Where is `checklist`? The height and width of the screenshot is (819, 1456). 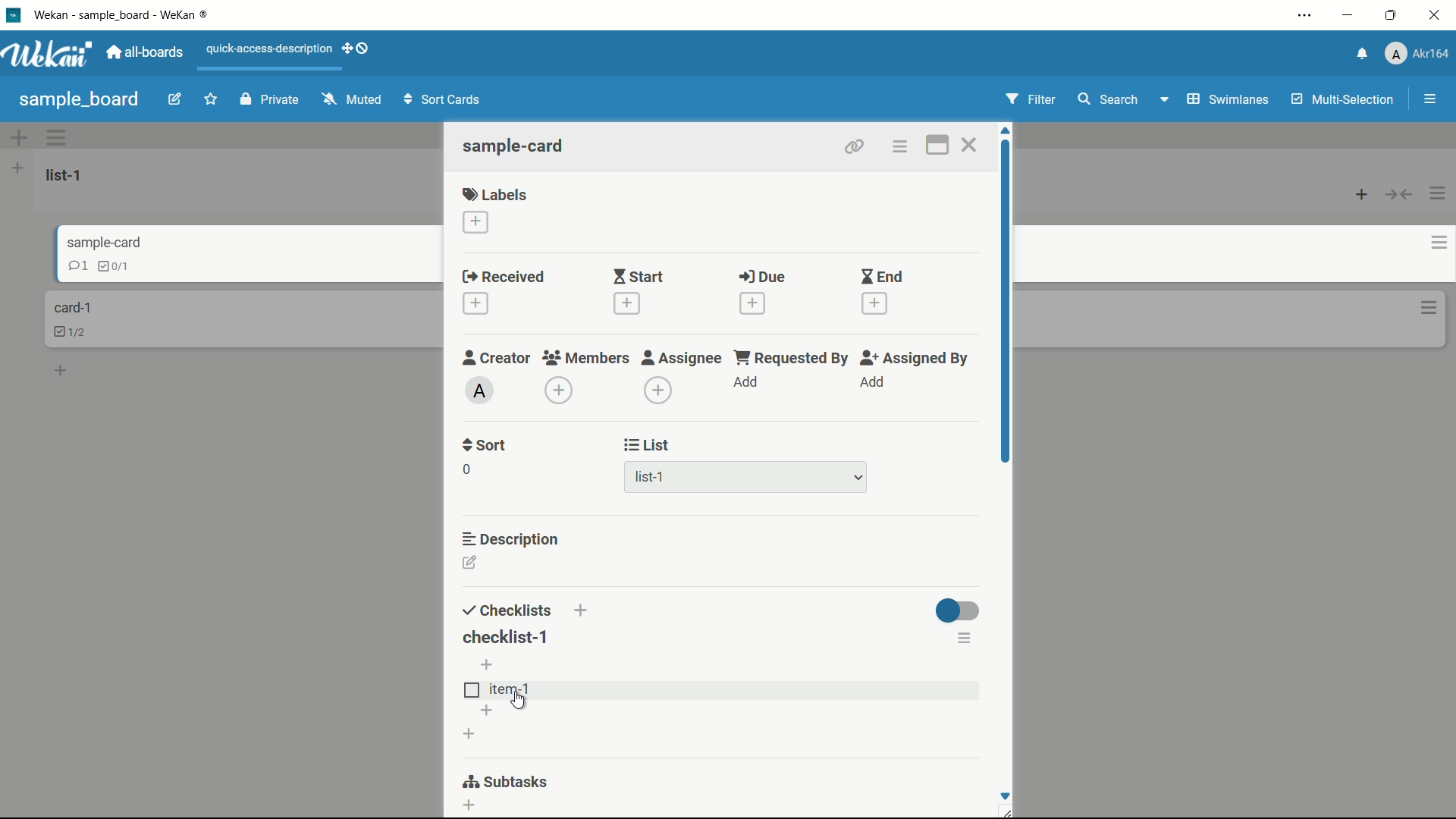 checklist is located at coordinates (102, 265).